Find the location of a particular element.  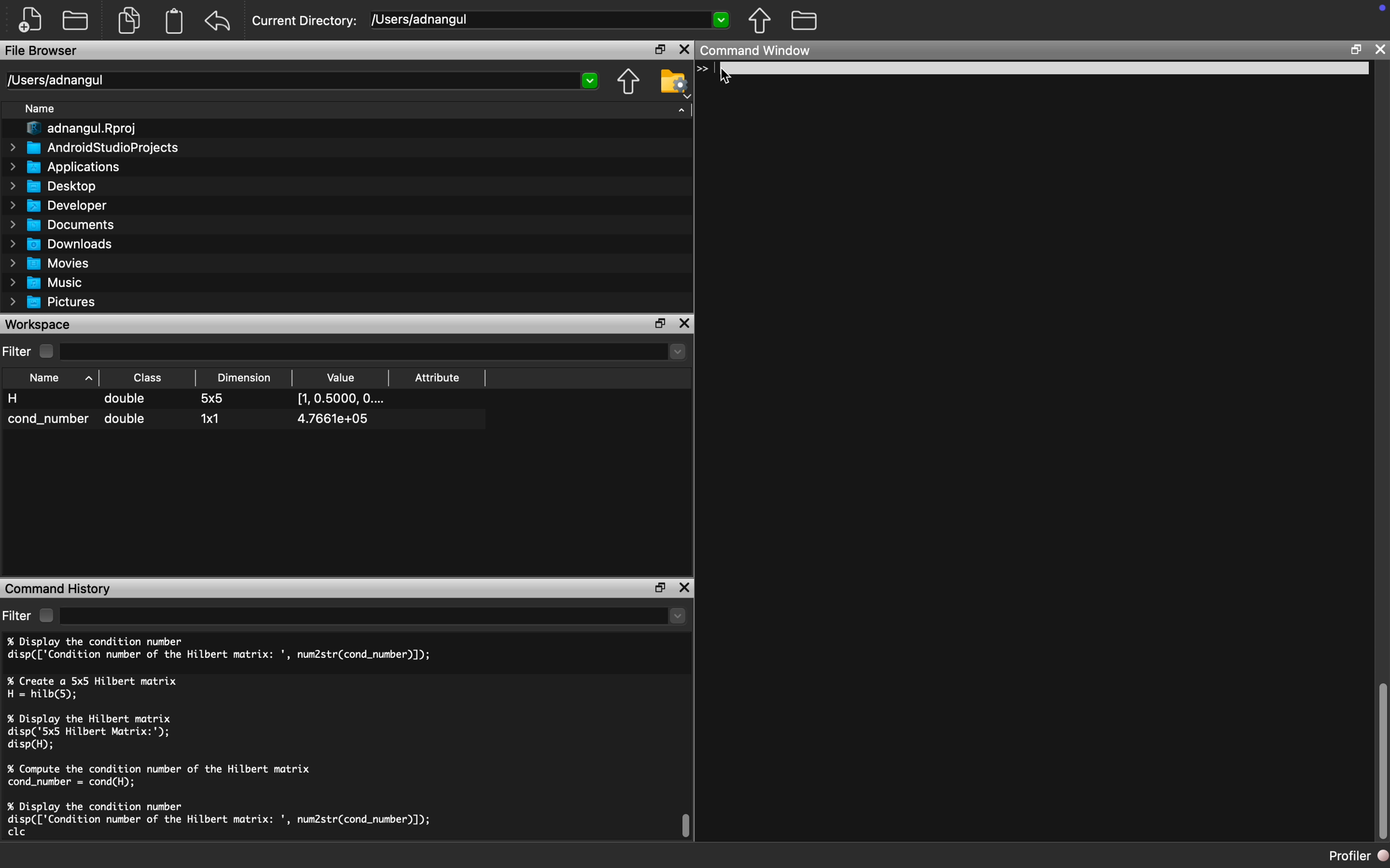

% Create a 5x5 Hilbert matrix
H = hilb(5); is located at coordinates (94, 688).